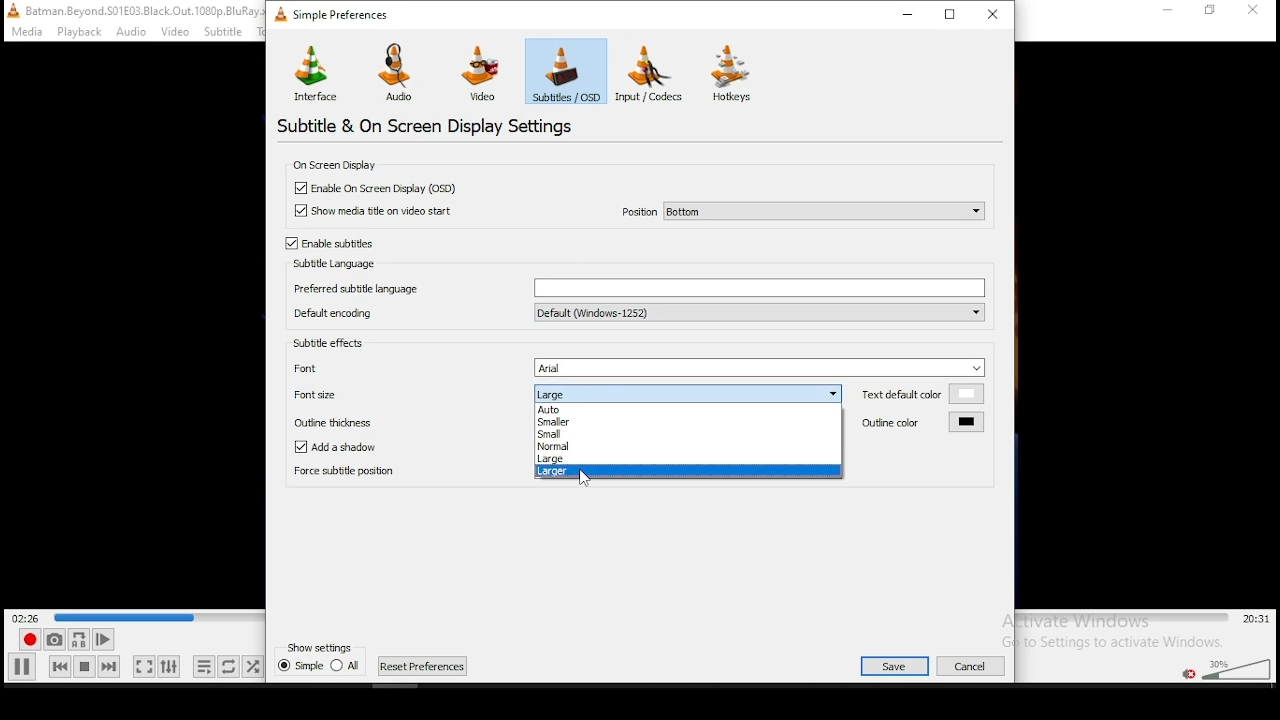  Describe the element at coordinates (60, 666) in the screenshot. I see `previous media in playlist, skips backward when held` at that location.